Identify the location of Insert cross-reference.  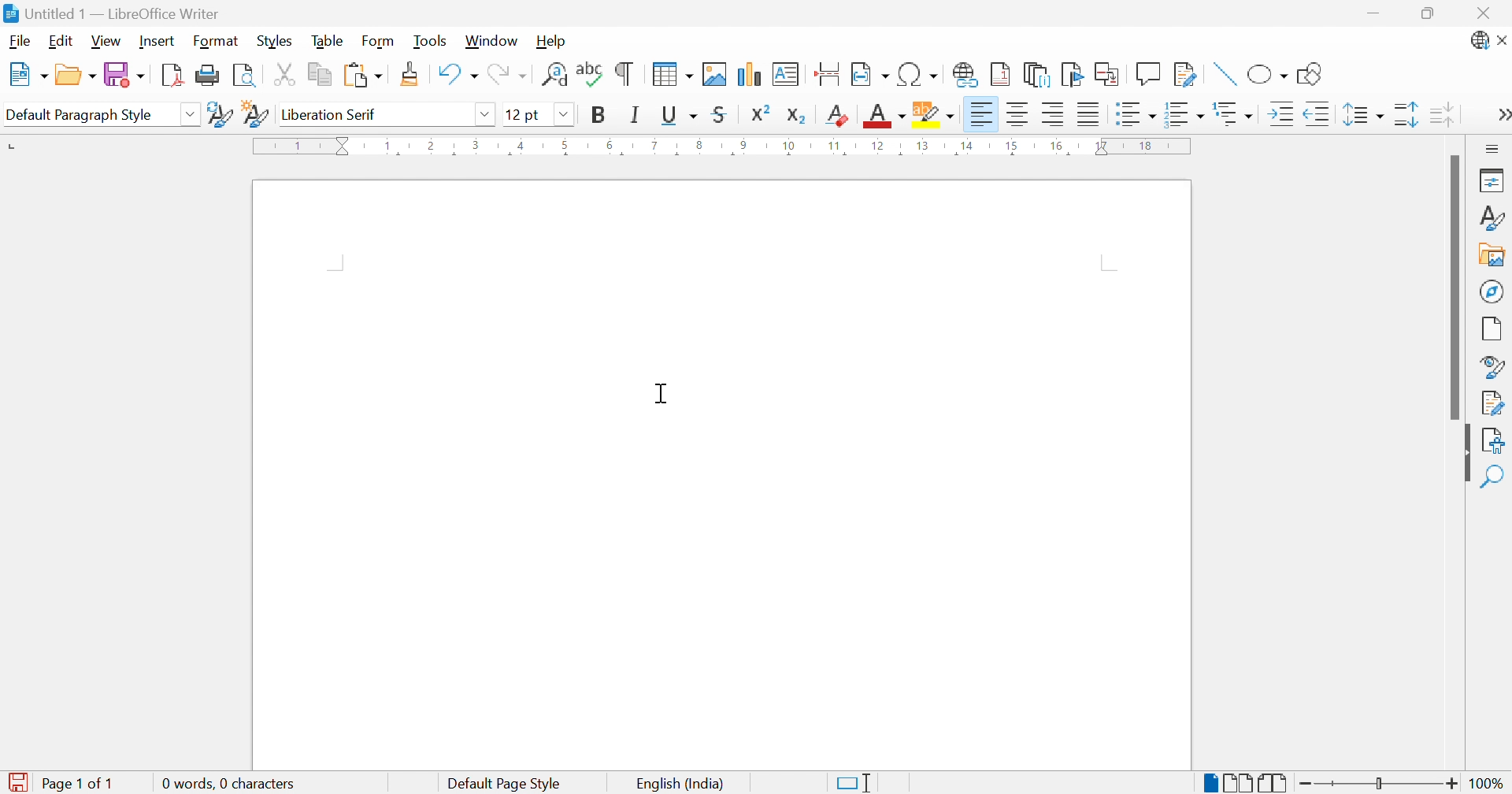
(1110, 72).